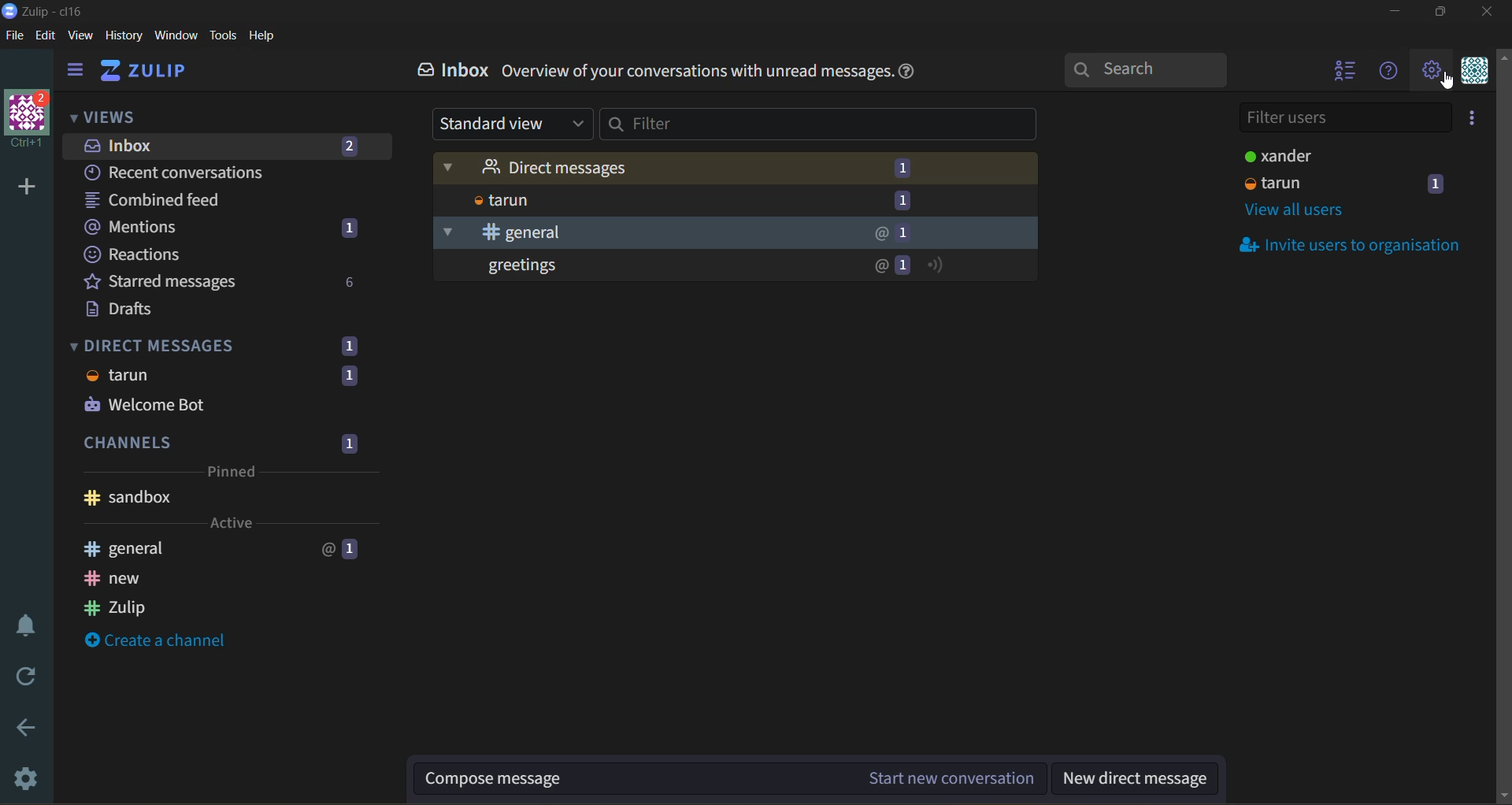 The image size is (1512, 805). I want to click on view, so click(81, 36).